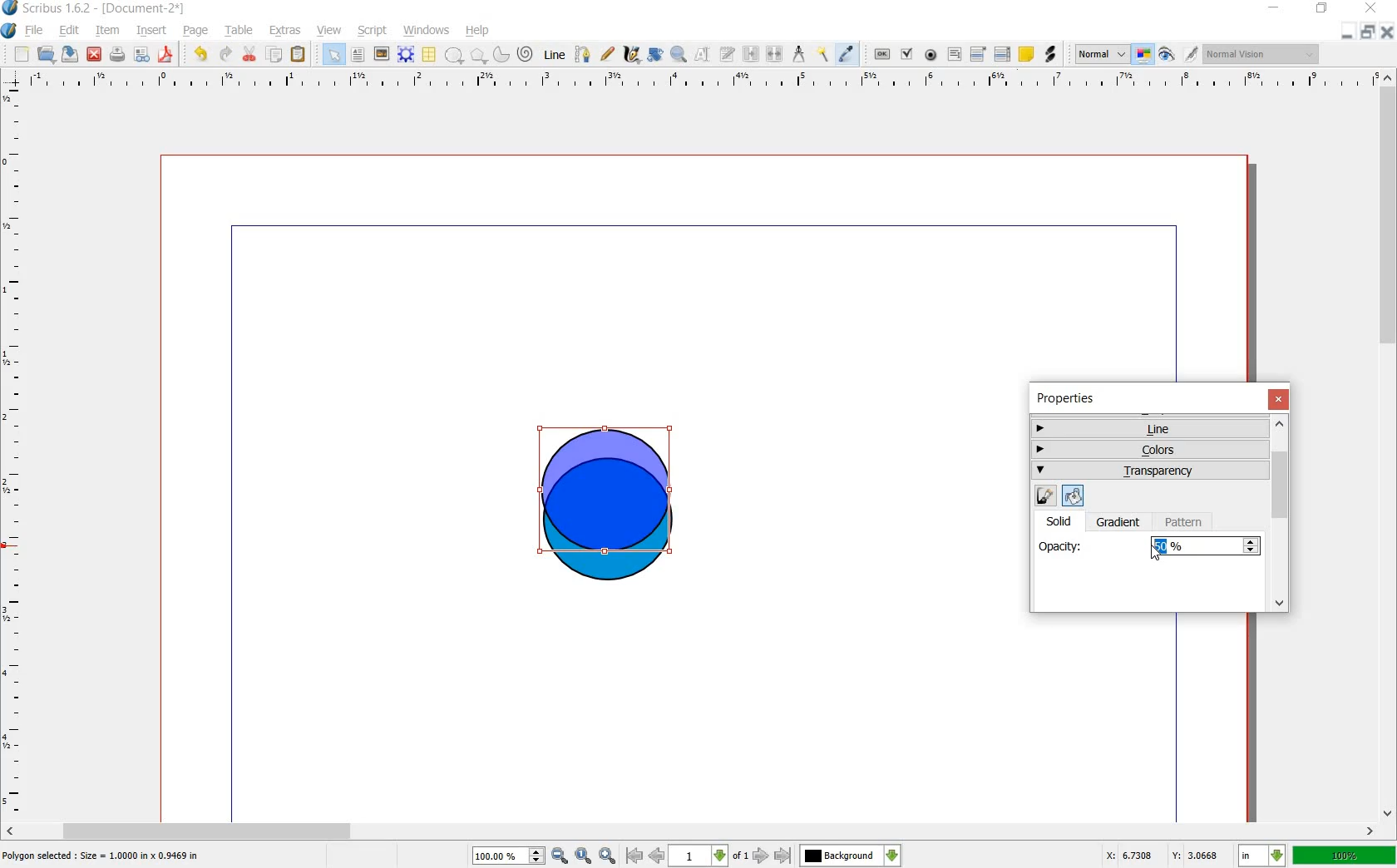 The width and height of the screenshot is (1397, 868). Describe the element at coordinates (118, 55) in the screenshot. I see `print` at that location.